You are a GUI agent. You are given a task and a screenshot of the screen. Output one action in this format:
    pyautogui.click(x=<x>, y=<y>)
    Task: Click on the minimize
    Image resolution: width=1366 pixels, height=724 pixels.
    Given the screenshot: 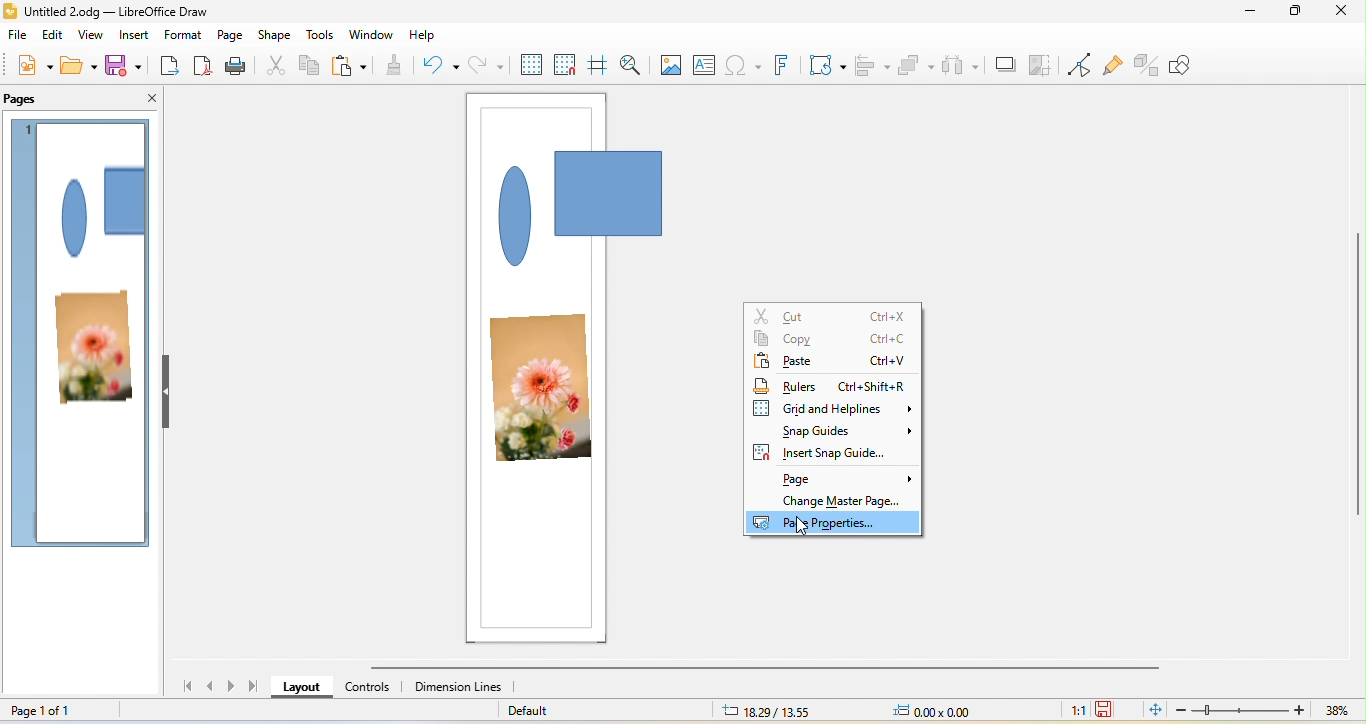 What is the action you would take?
    pyautogui.click(x=1245, y=15)
    